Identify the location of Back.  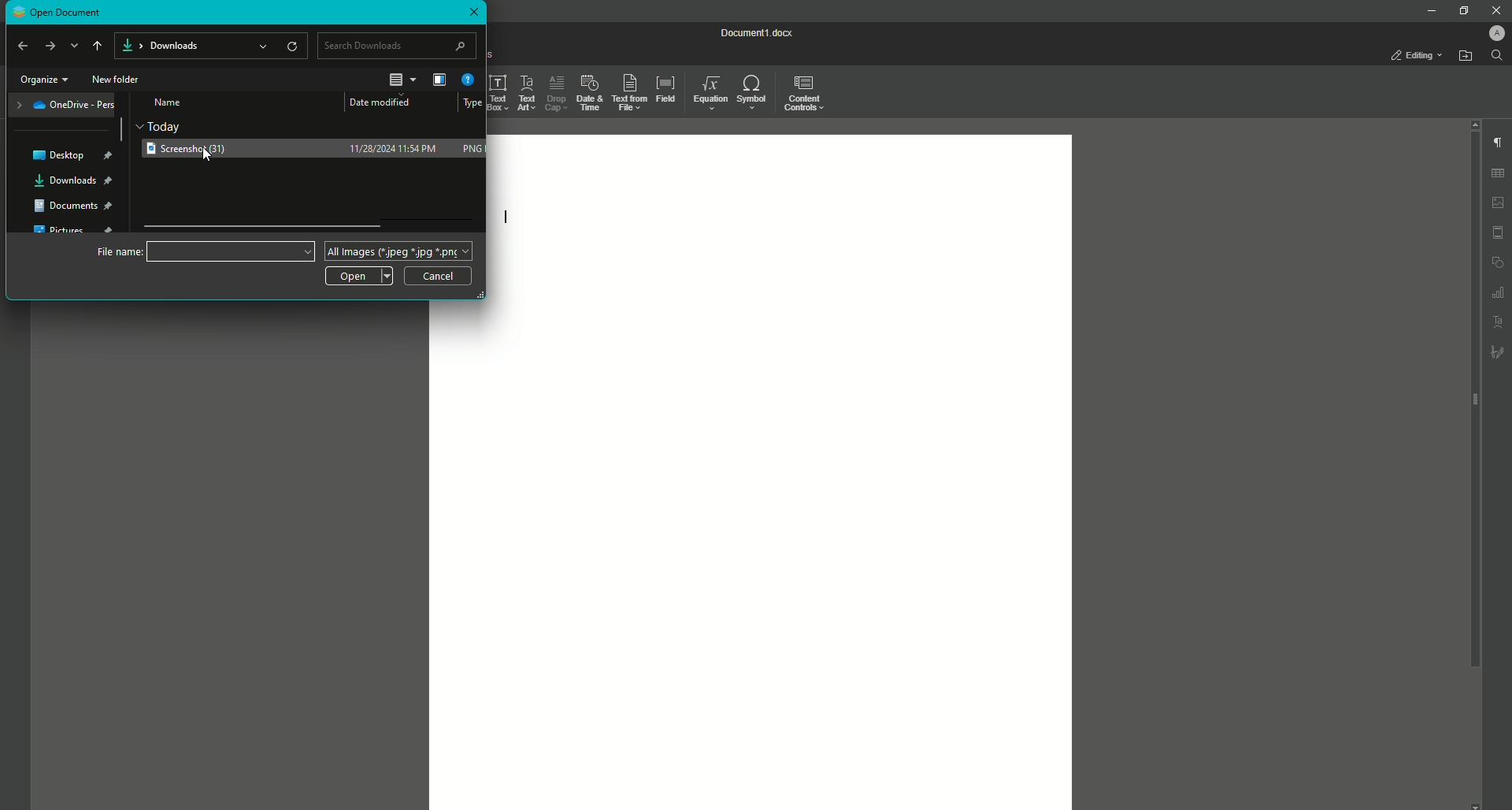
(21, 46).